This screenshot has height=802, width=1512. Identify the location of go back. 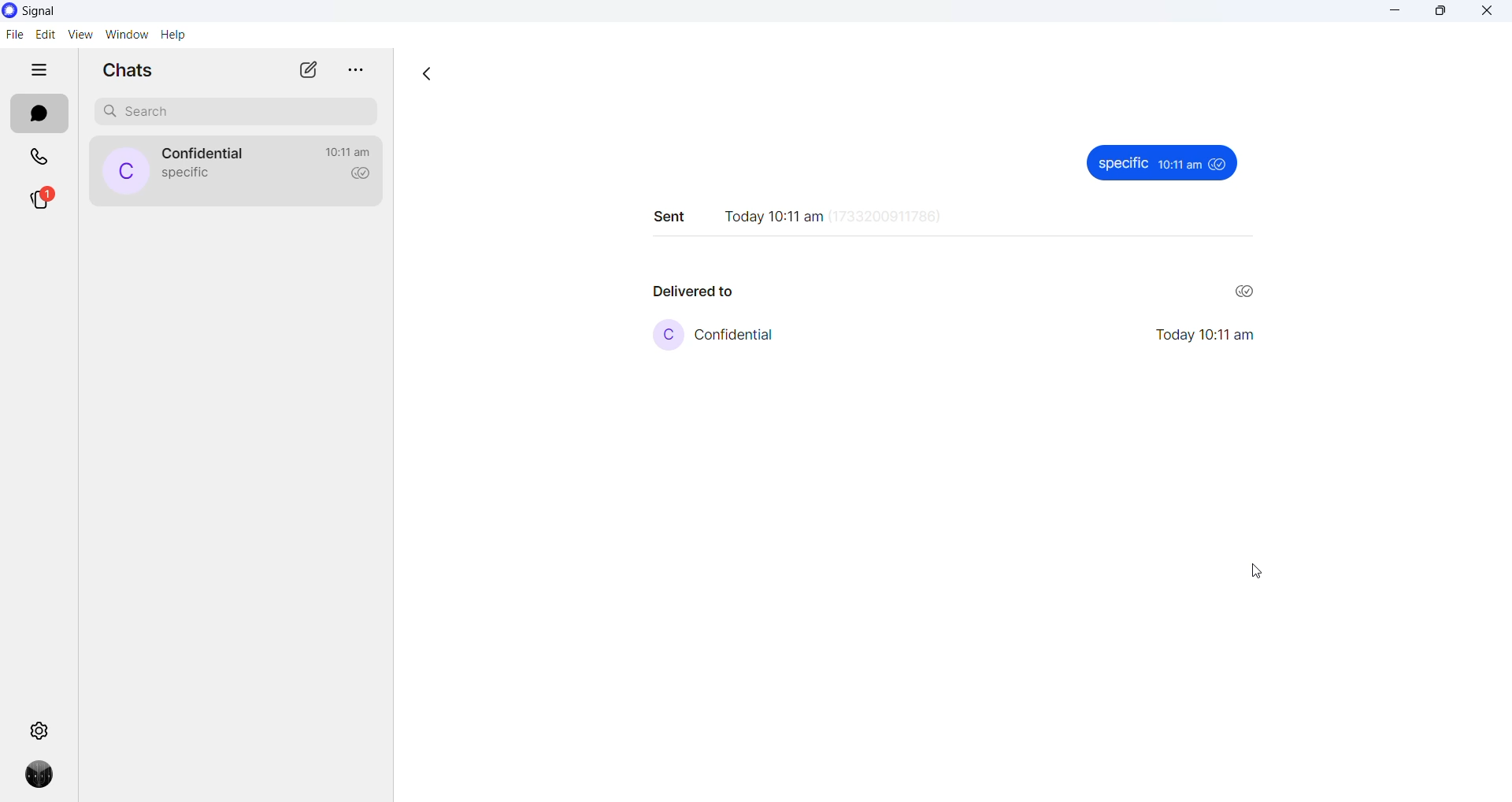
(424, 75).